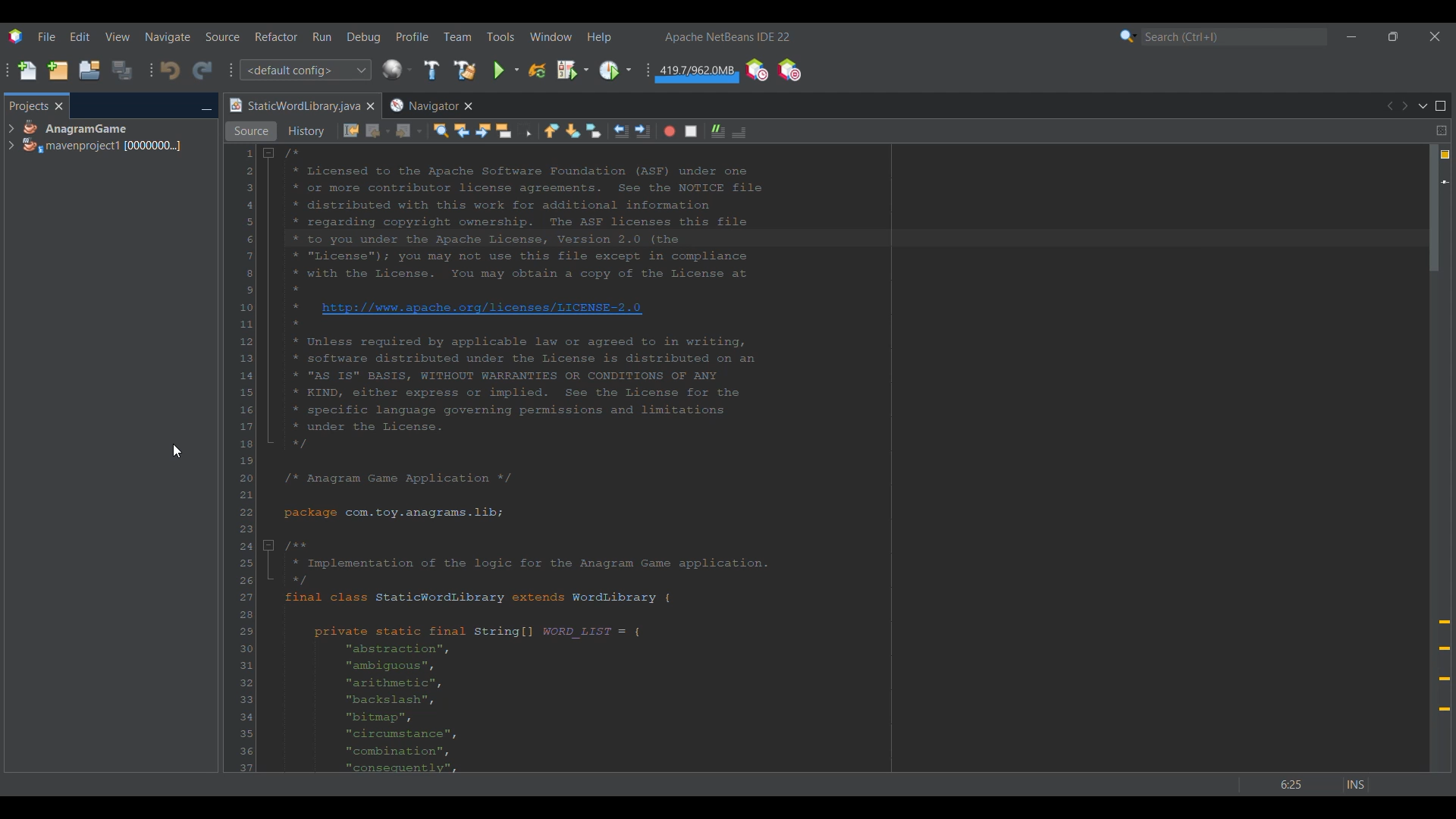 The width and height of the screenshot is (1456, 819). I want to click on Reload, so click(537, 71).